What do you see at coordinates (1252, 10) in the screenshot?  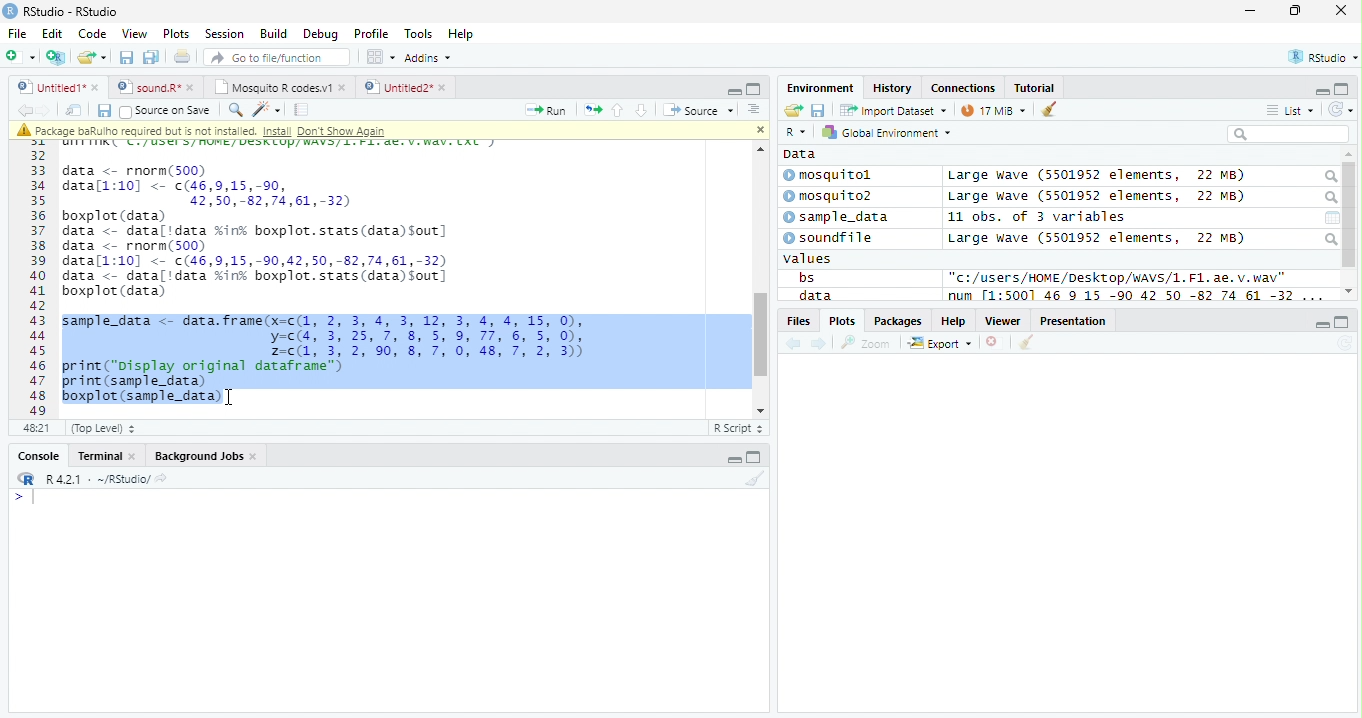 I see `minimize` at bounding box center [1252, 10].